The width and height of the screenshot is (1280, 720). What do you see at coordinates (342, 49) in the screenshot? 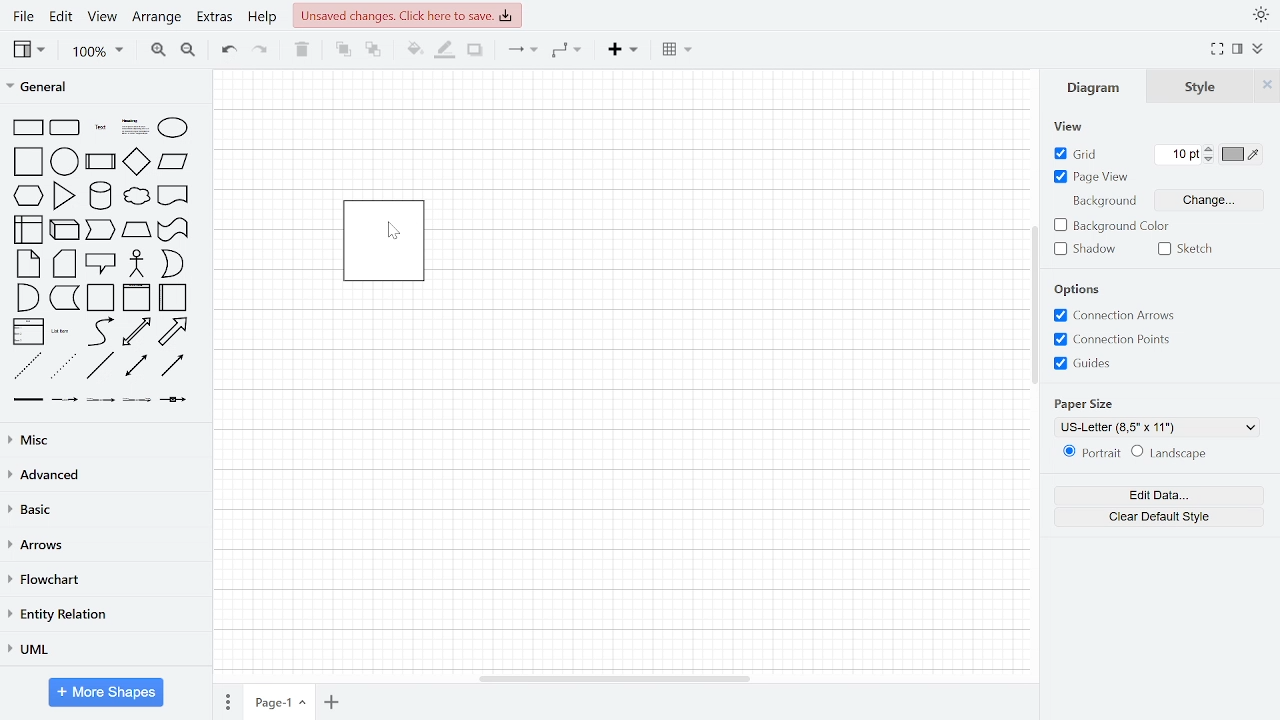
I see `to front` at bounding box center [342, 49].